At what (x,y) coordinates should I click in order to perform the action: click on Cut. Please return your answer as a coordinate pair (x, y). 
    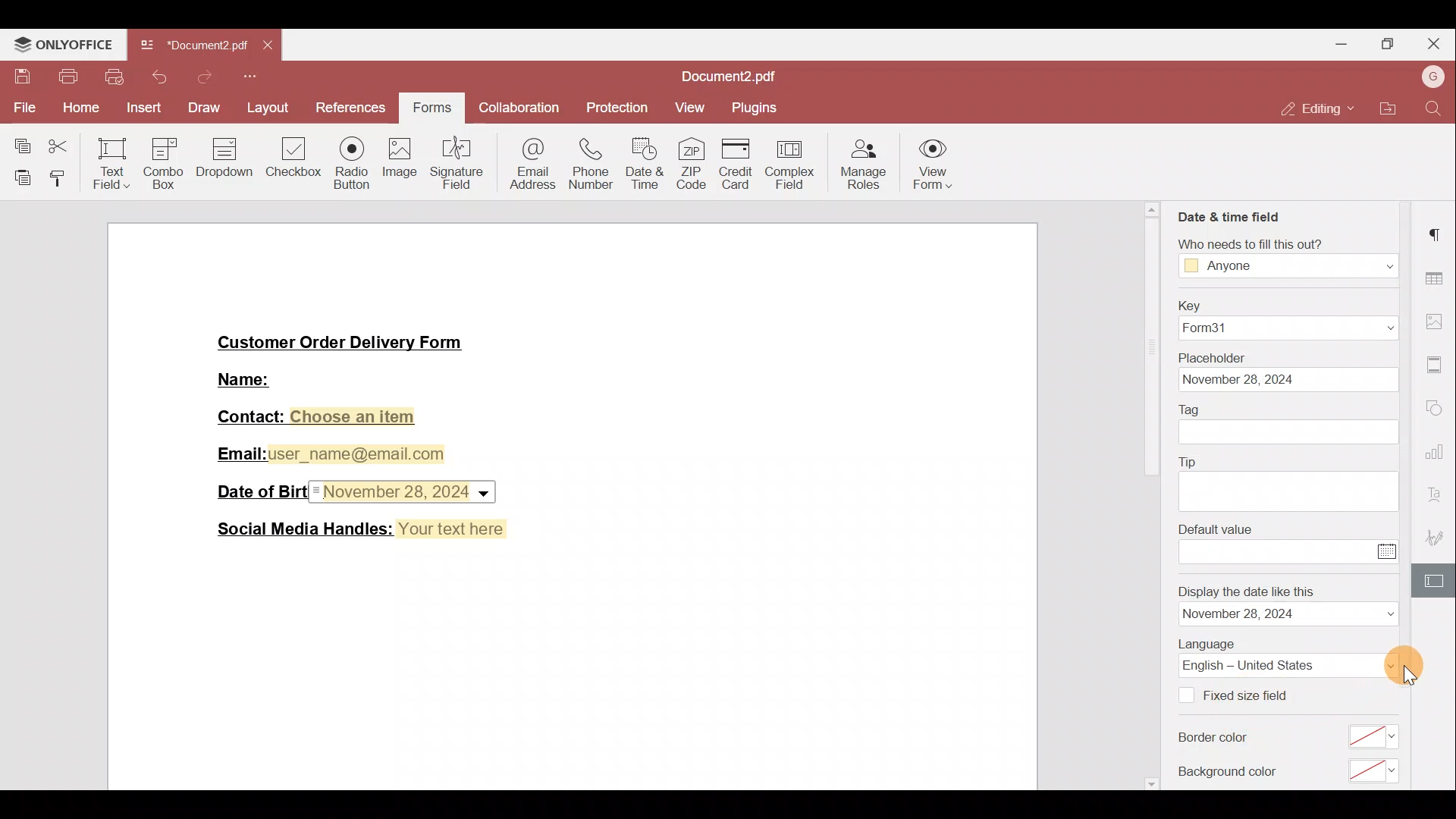
    Looking at the image, I should click on (62, 143).